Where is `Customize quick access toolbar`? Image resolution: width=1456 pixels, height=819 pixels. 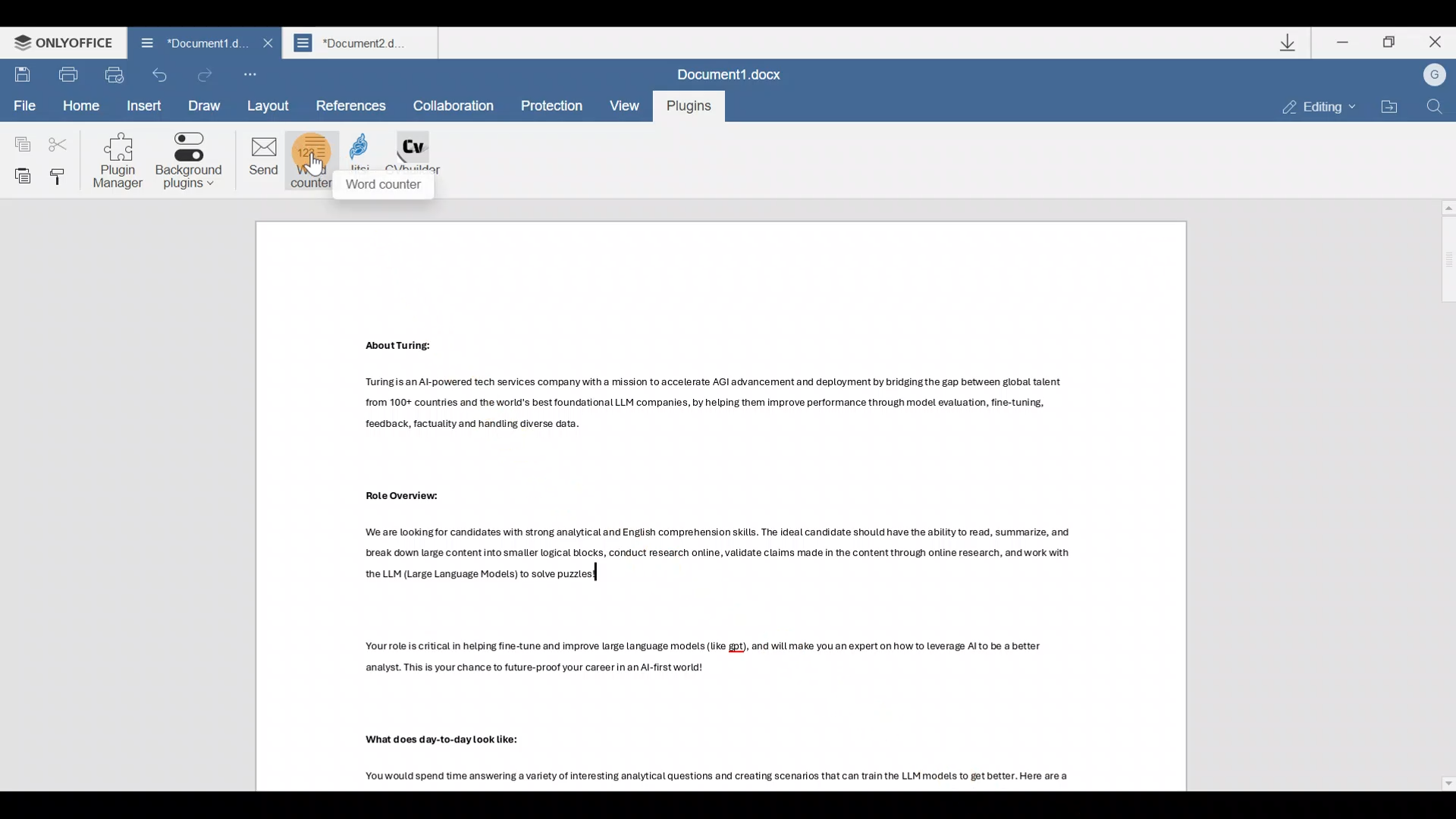
Customize quick access toolbar is located at coordinates (247, 70).